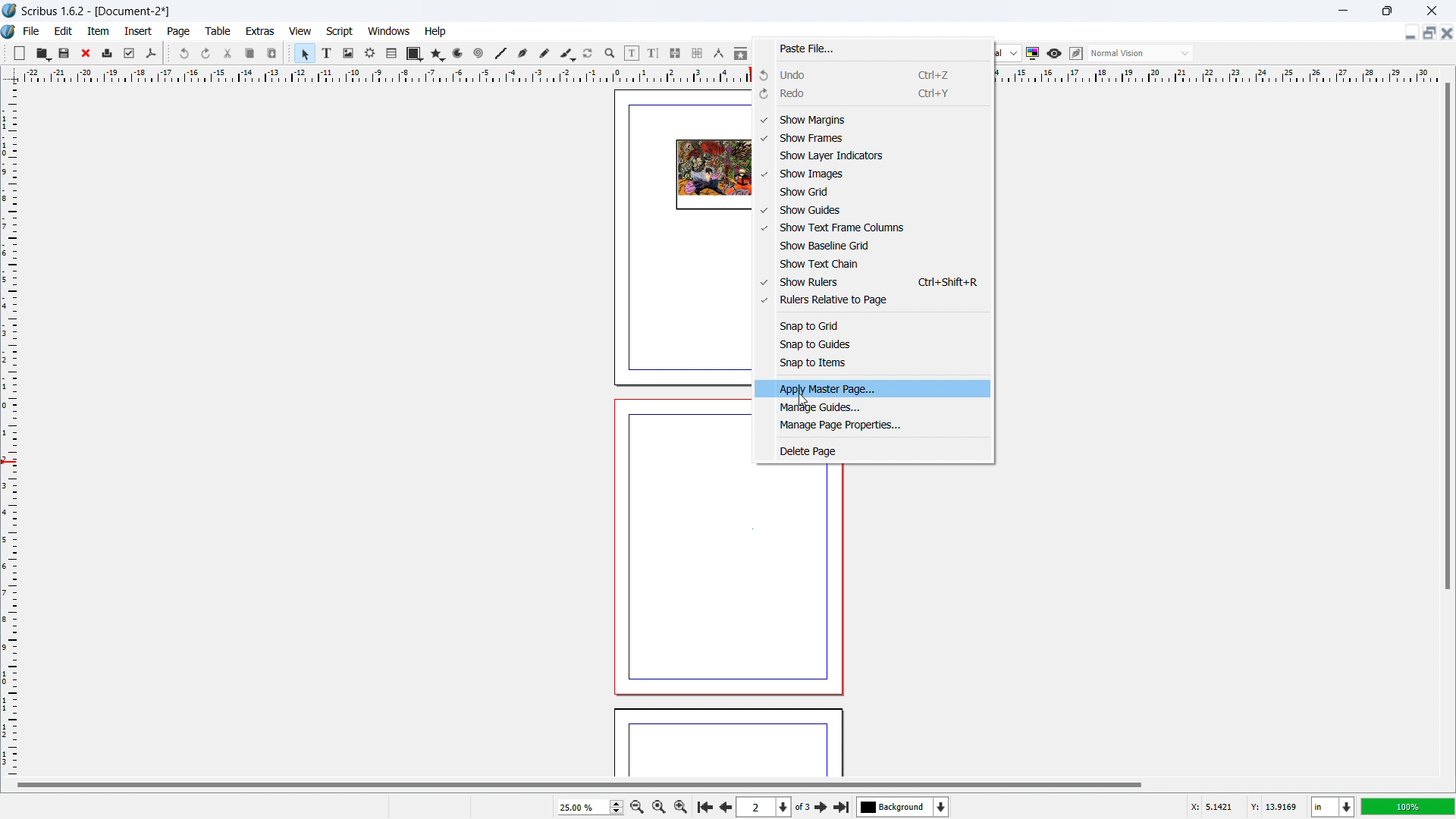  Describe the element at coordinates (1341, 11) in the screenshot. I see `minimize window` at that location.